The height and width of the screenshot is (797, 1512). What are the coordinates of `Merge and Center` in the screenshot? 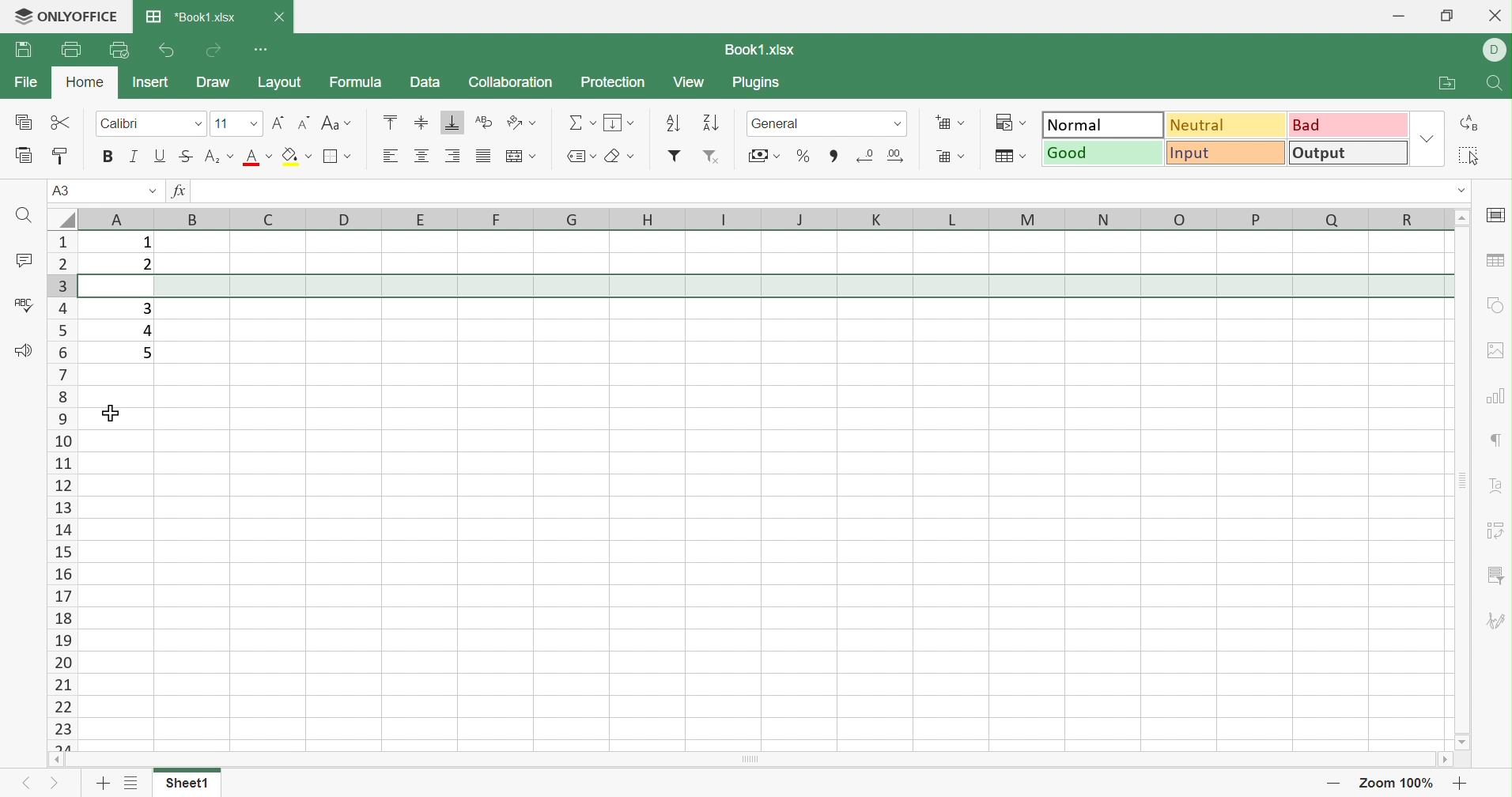 It's located at (513, 157).